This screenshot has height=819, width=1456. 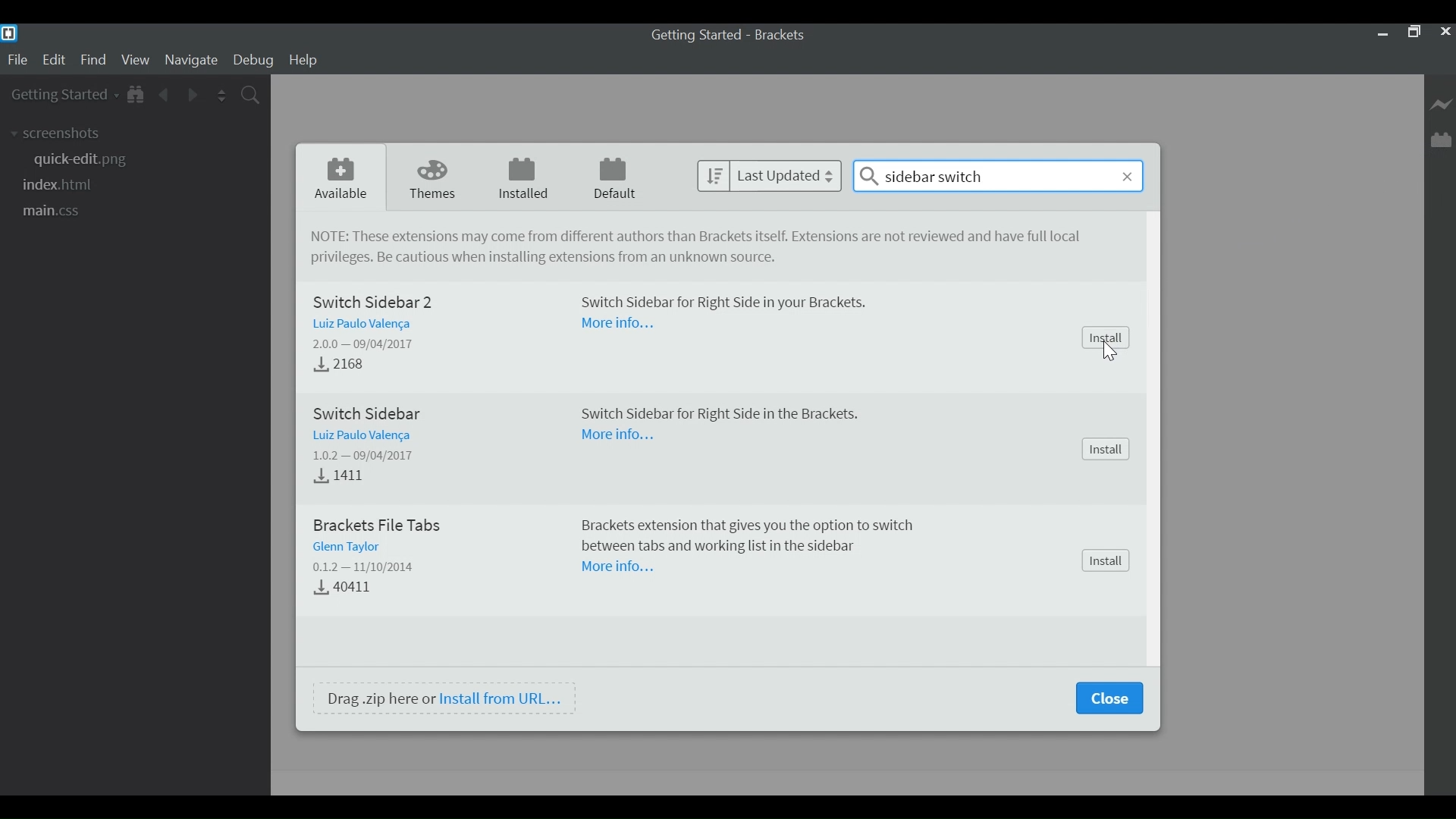 What do you see at coordinates (1106, 449) in the screenshot?
I see `Install` at bounding box center [1106, 449].